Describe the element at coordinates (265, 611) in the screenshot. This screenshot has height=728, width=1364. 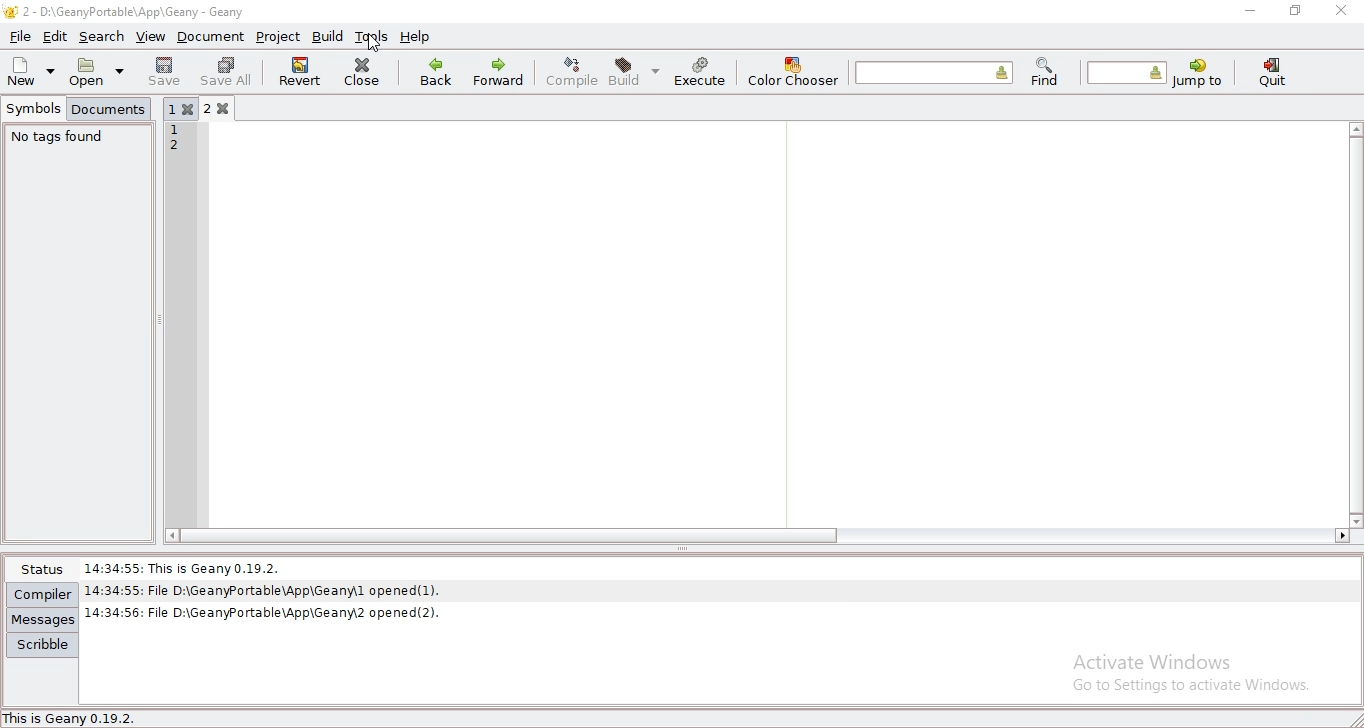
I see `| 14:34:56: File D:\GeanyPortable\App\Geanw2 opened(2).` at that location.